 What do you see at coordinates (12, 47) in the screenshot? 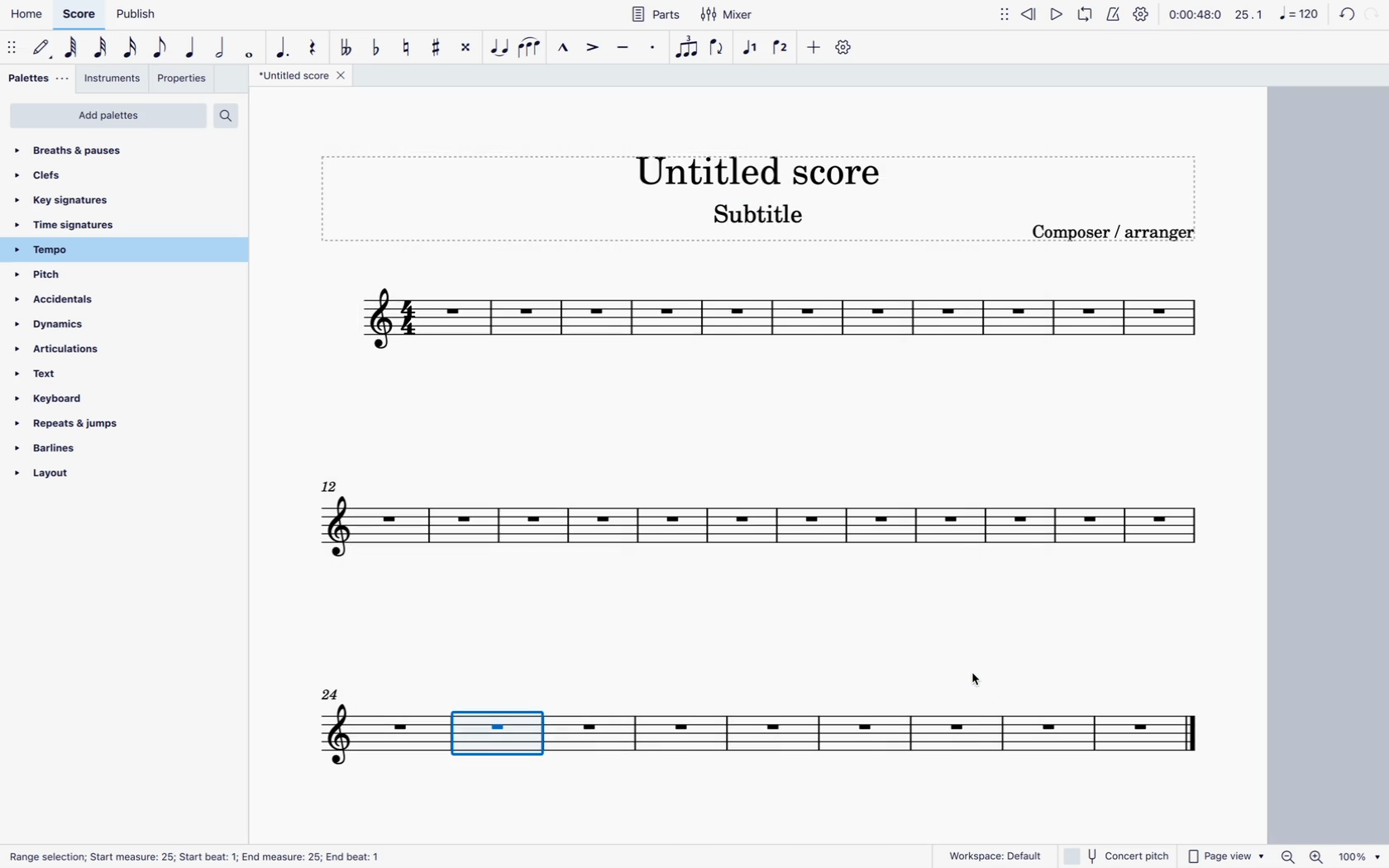
I see `move` at bounding box center [12, 47].